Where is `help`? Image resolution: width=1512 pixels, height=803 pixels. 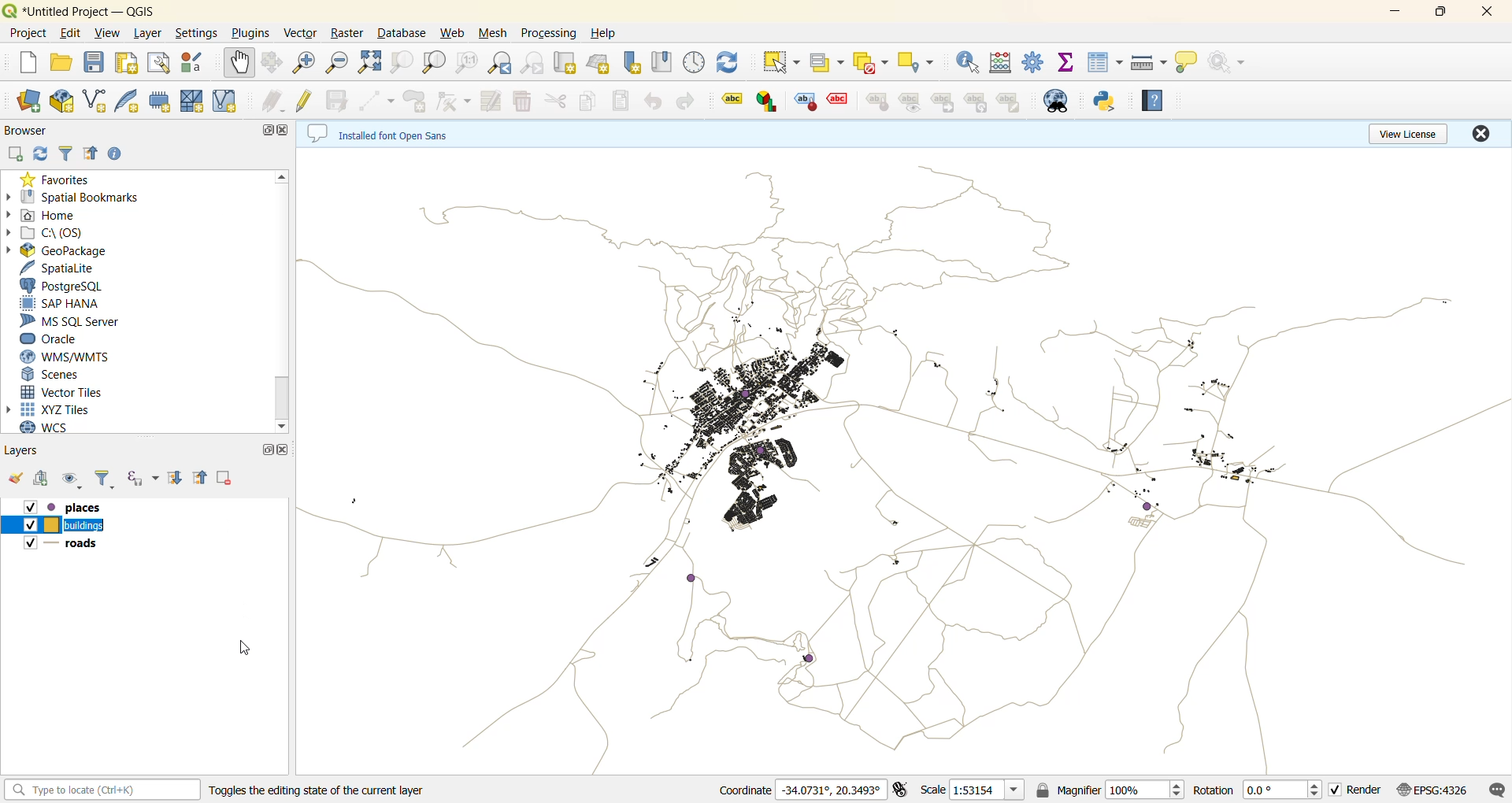 help is located at coordinates (1154, 101).